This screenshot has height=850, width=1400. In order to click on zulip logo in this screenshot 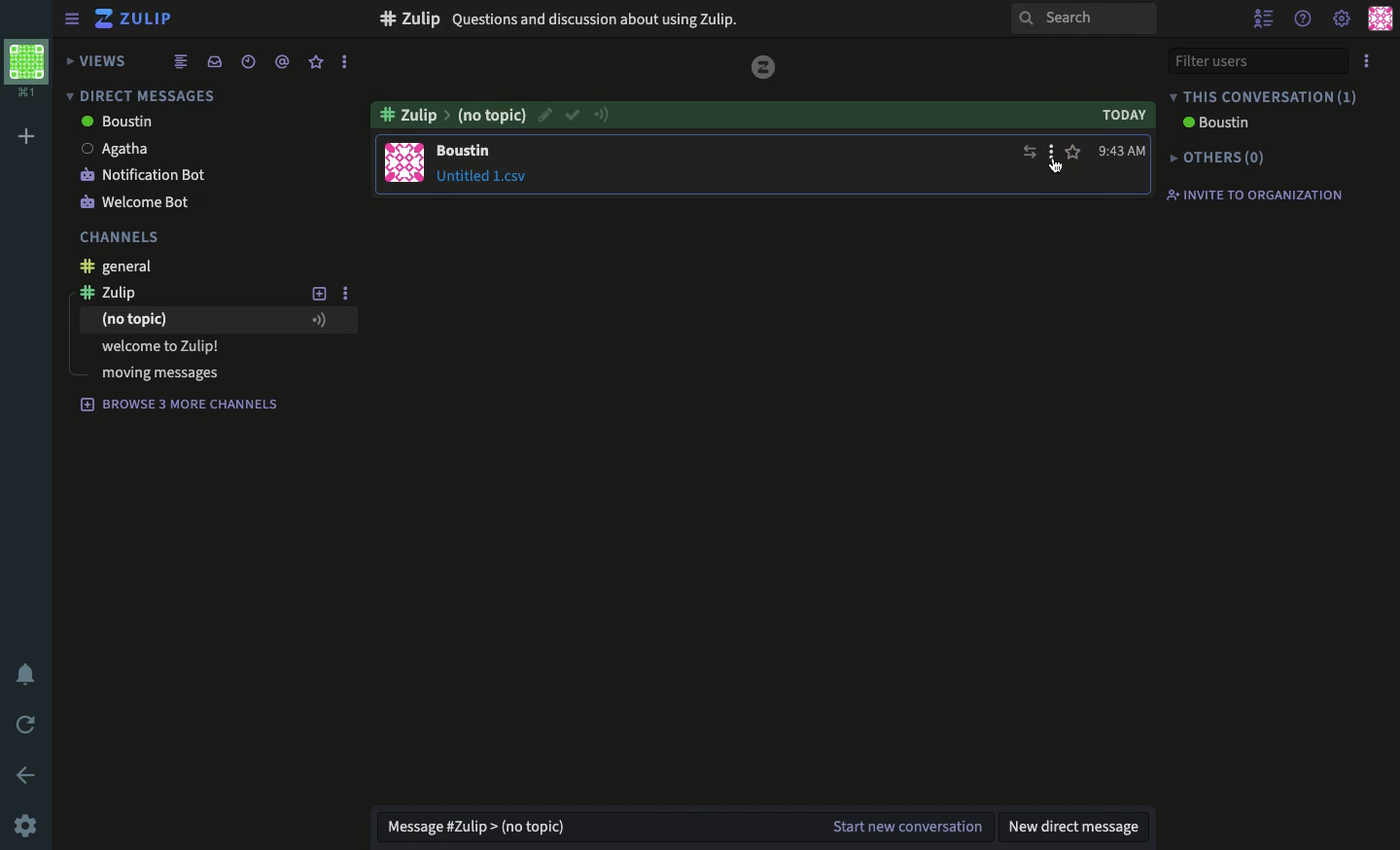, I will do `click(105, 18)`.